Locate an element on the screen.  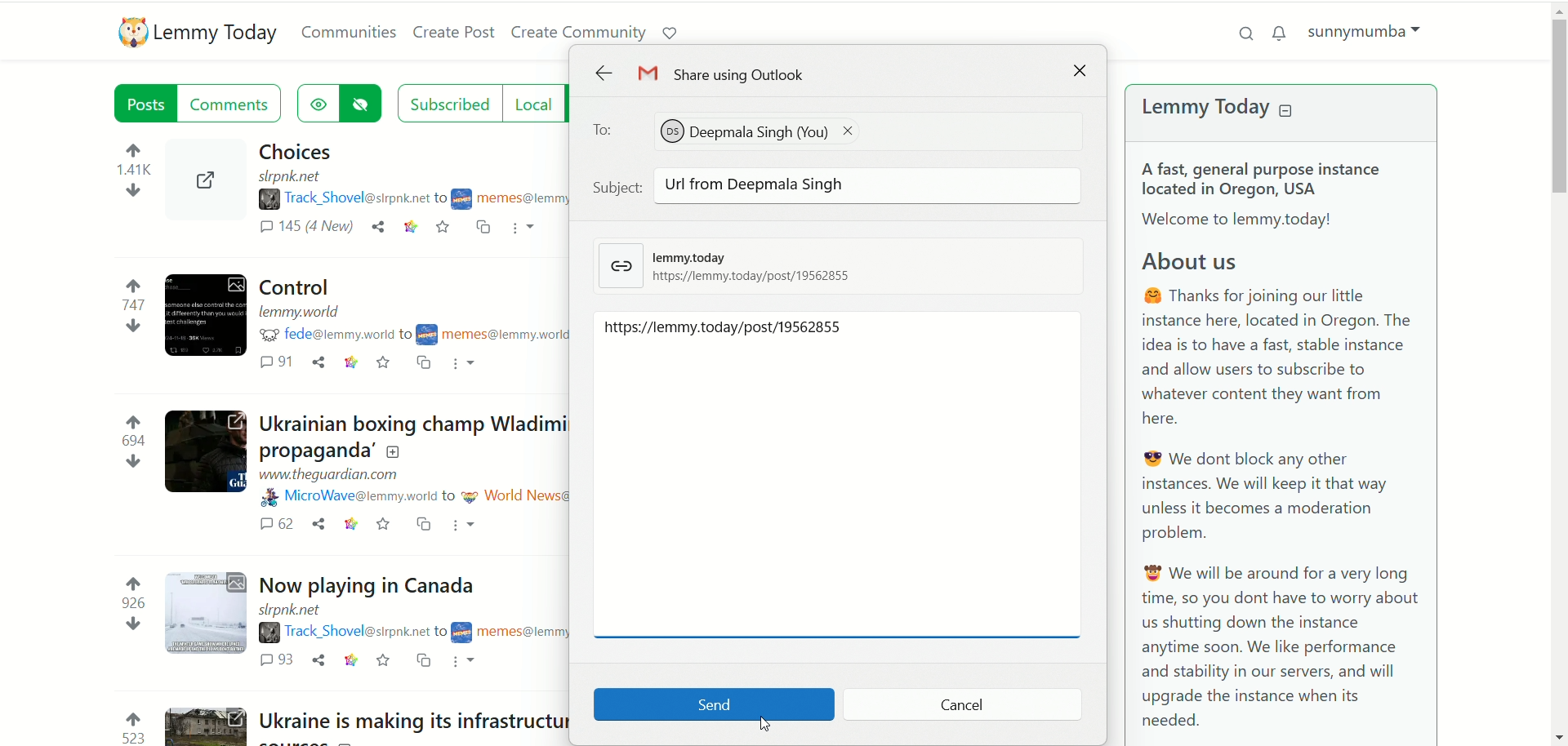
Post on "Choices" is located at coordinates (296, 150).